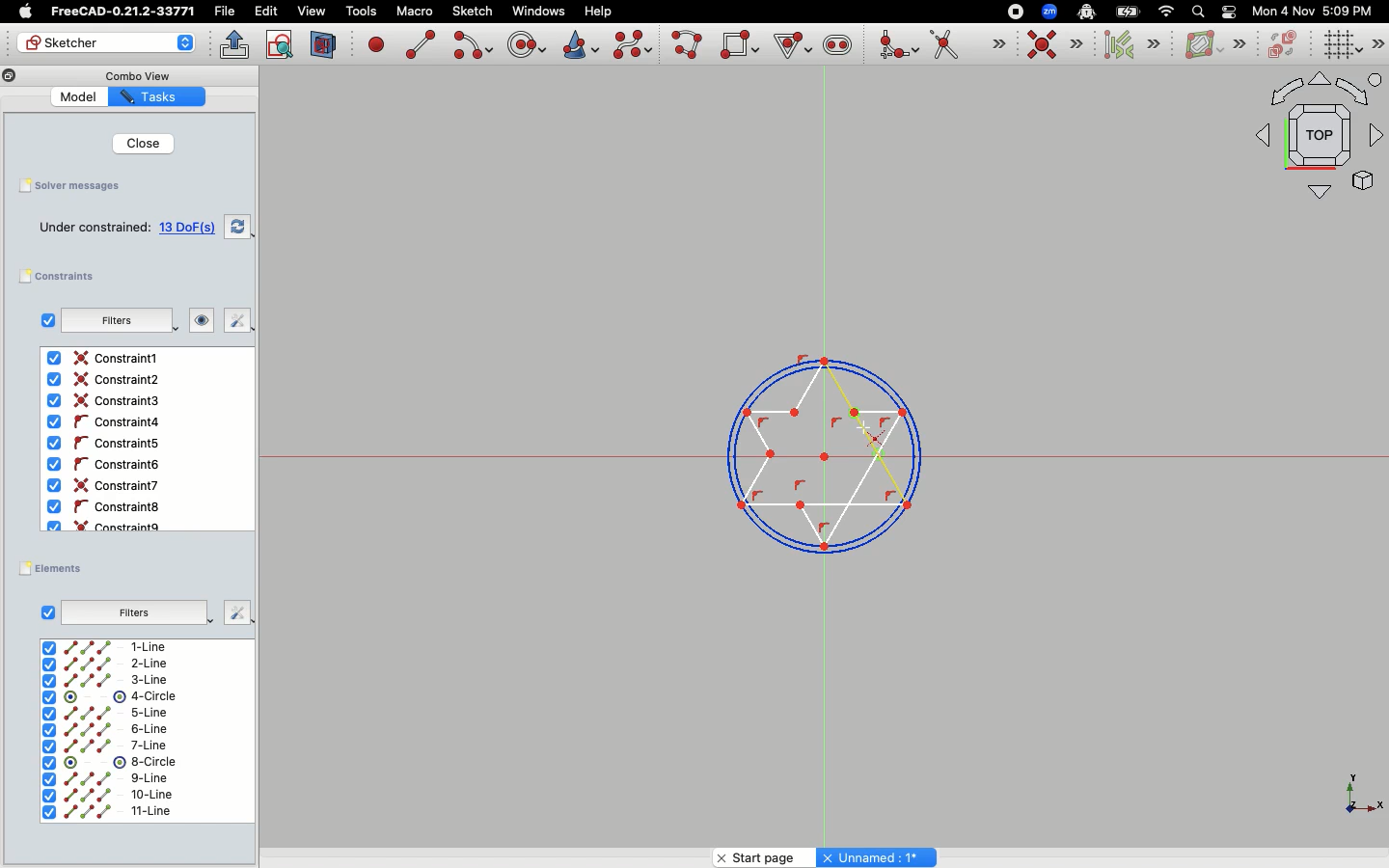 This screenshot has width=1389, height=868. Describe the element at coordinates (1315, 12) in the screenshot. I see `Mon 4 Nov 5:09 PM` at that location.